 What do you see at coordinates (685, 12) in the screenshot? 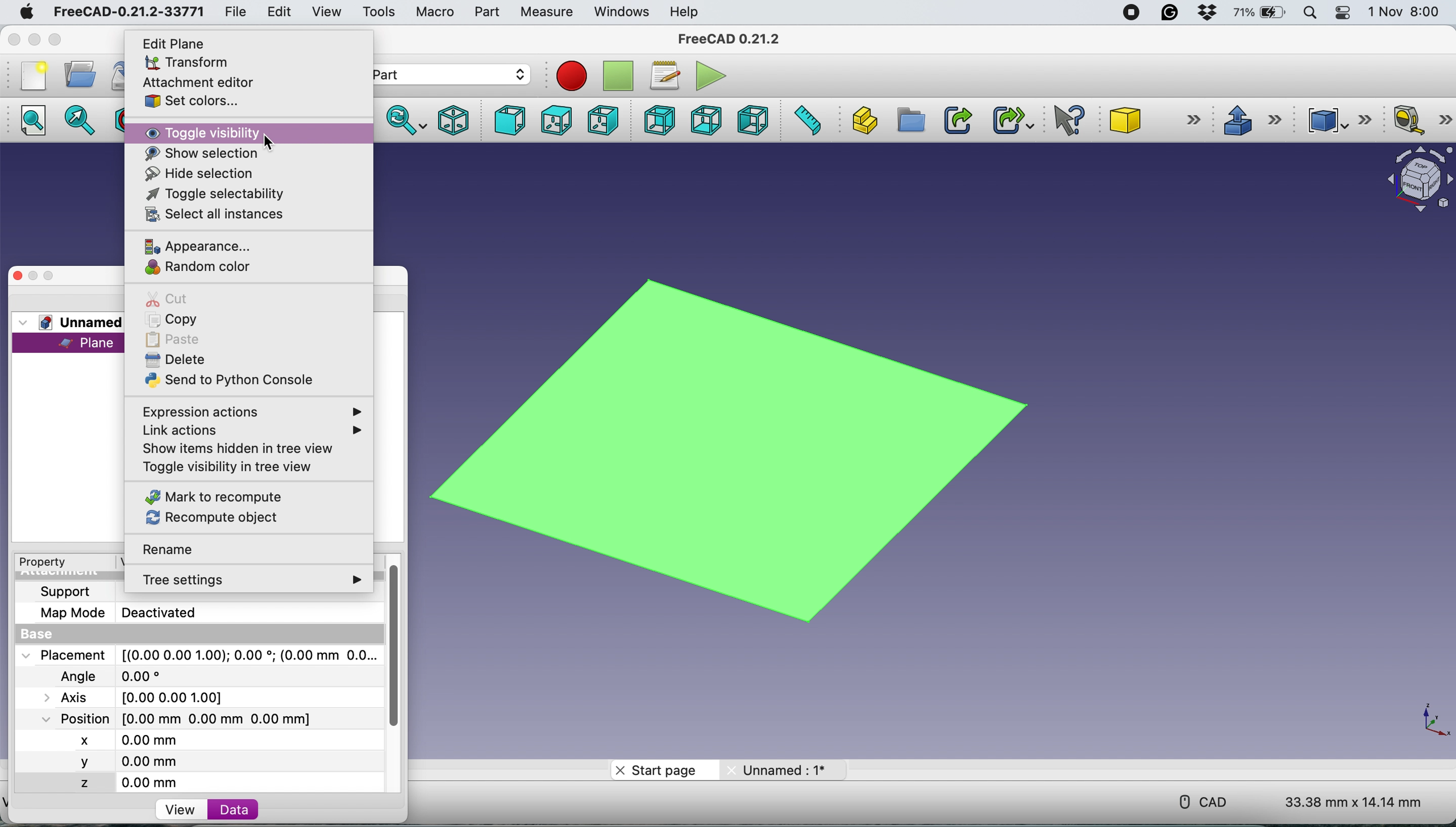
I see `help` at bounding box center [685, 12].